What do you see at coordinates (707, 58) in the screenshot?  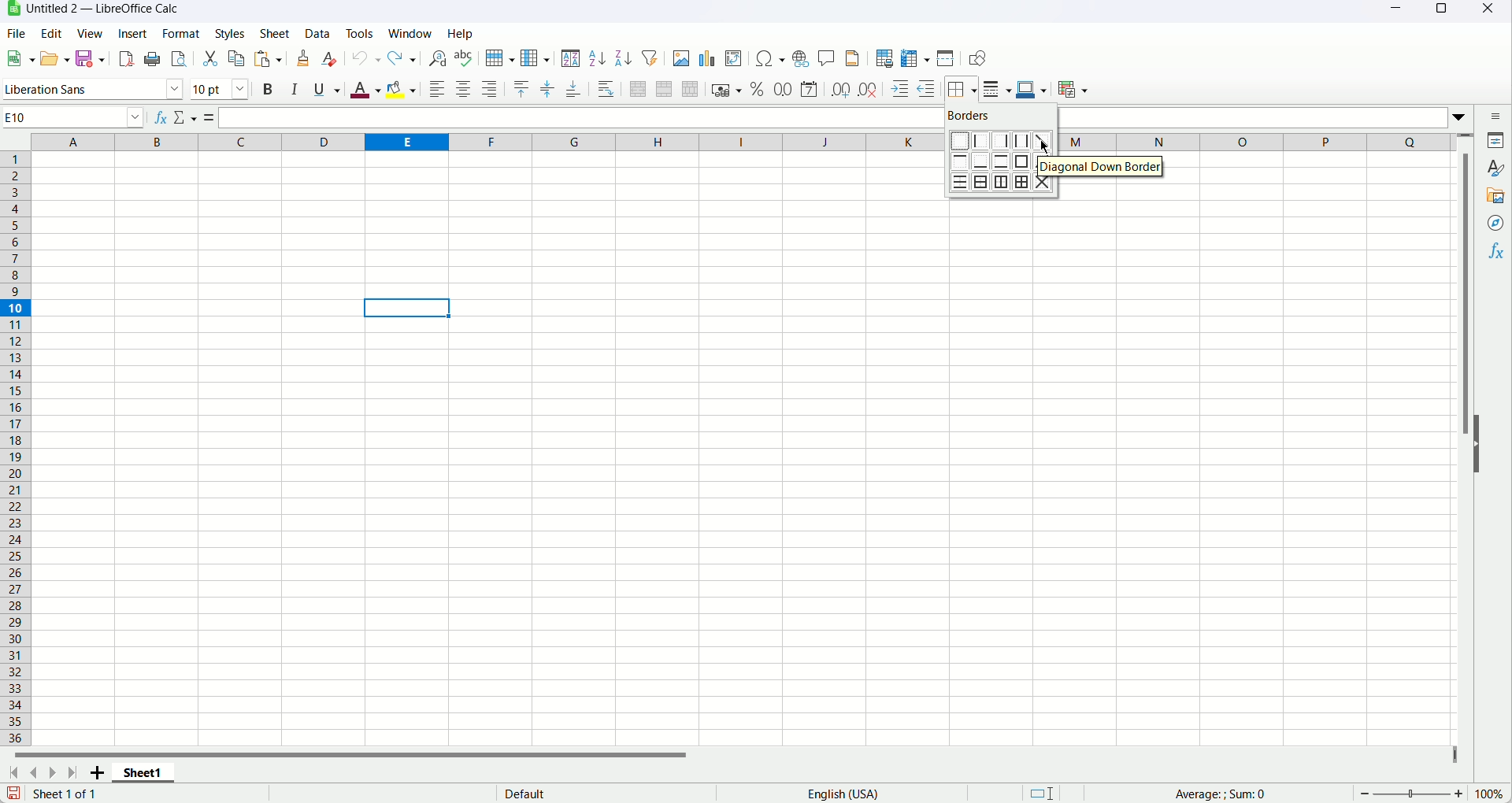 I see `Insert chart` at bounding box center [707, 58].